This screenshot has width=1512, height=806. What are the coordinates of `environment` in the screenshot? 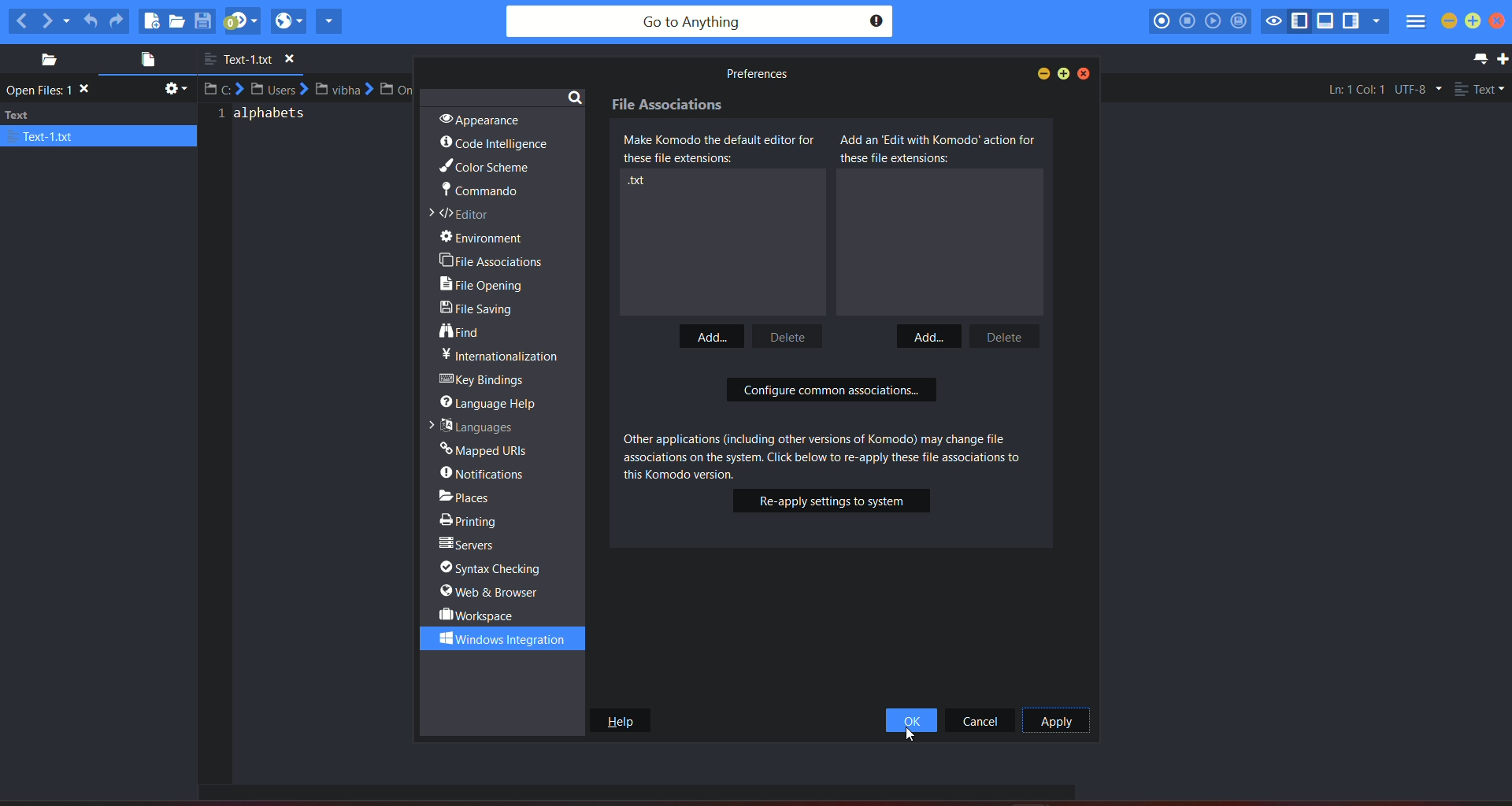 It's located at (491, 238).